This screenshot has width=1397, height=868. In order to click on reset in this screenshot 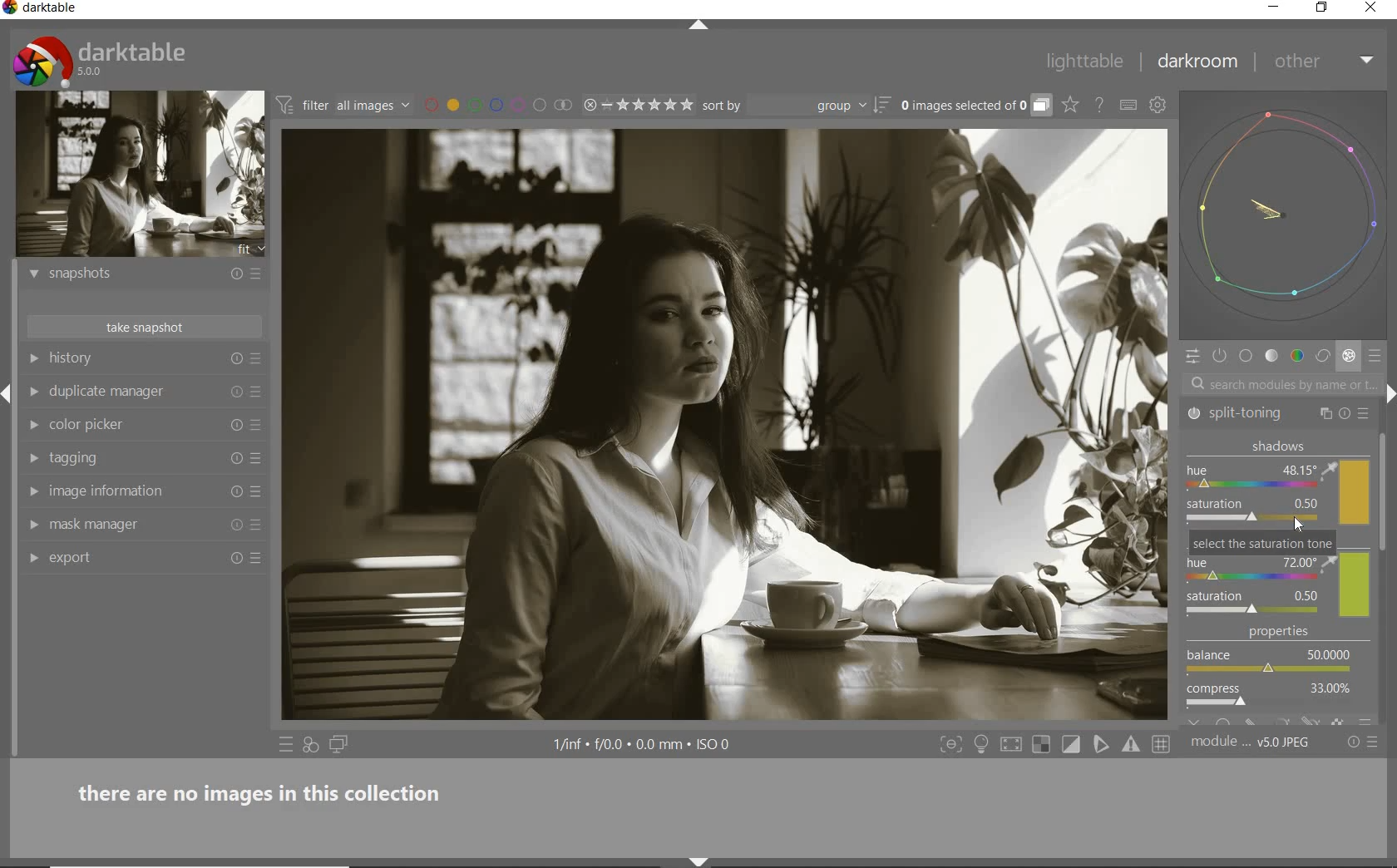, I will do `click(234, 560)`.